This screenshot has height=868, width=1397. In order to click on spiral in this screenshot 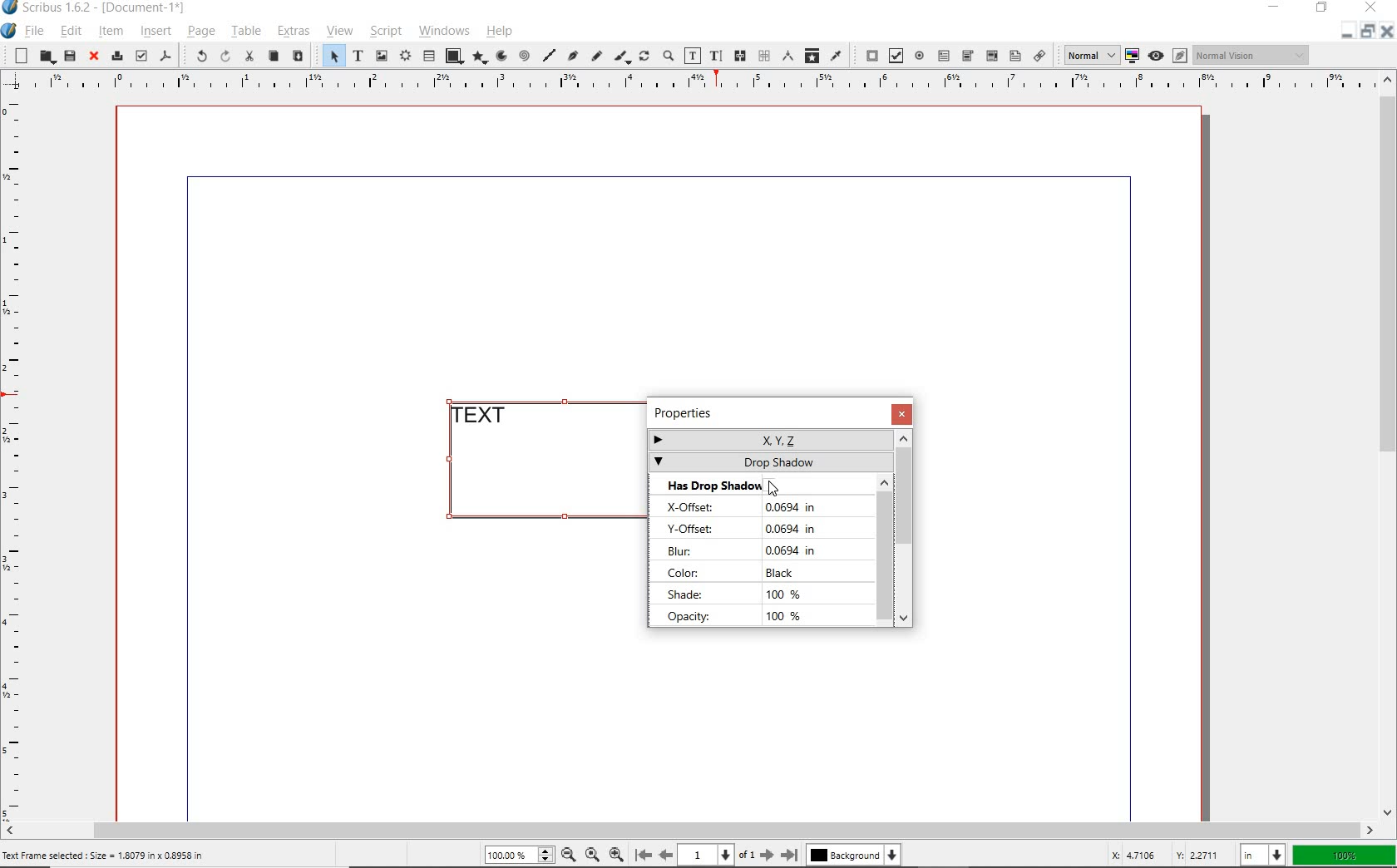, I will do `click(525, 55)`.